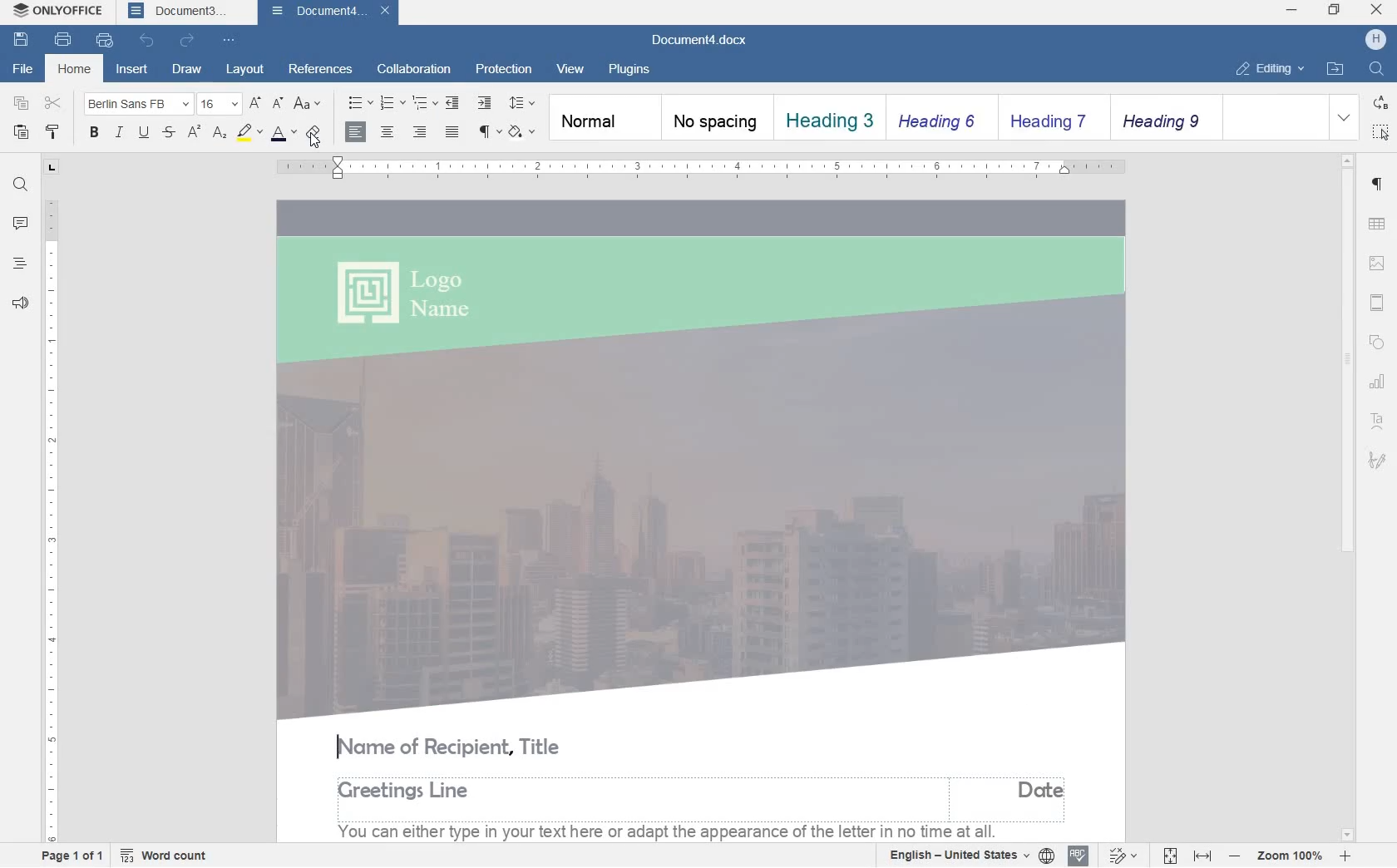 The height and width of the screenshot is (868, 1397). Describe the element at coordinates (1271, 69) in the screenshot. I see `editing` at that location.